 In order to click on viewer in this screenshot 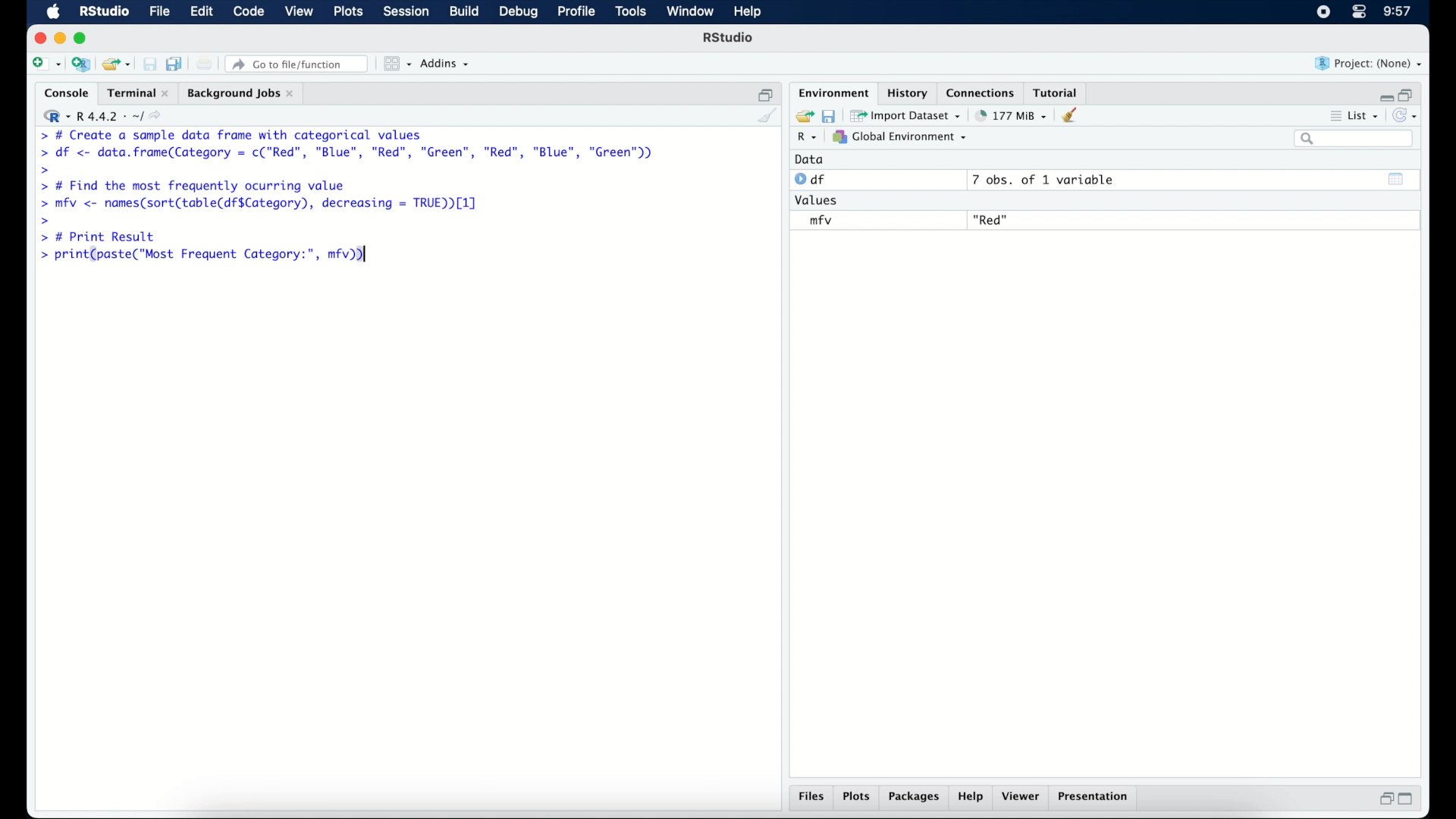, I will do `click(1022, 798)`.